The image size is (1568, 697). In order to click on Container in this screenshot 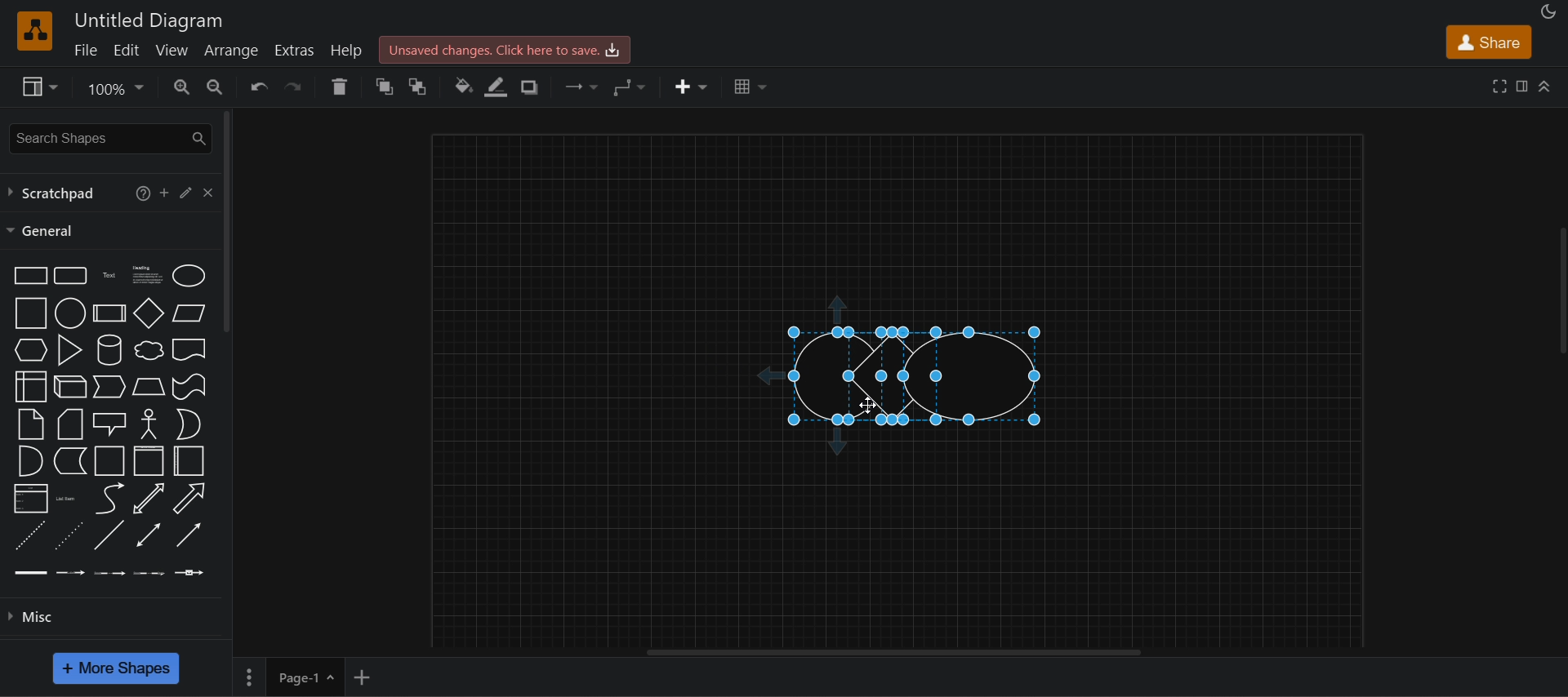, I will do `click(110, 460)`.